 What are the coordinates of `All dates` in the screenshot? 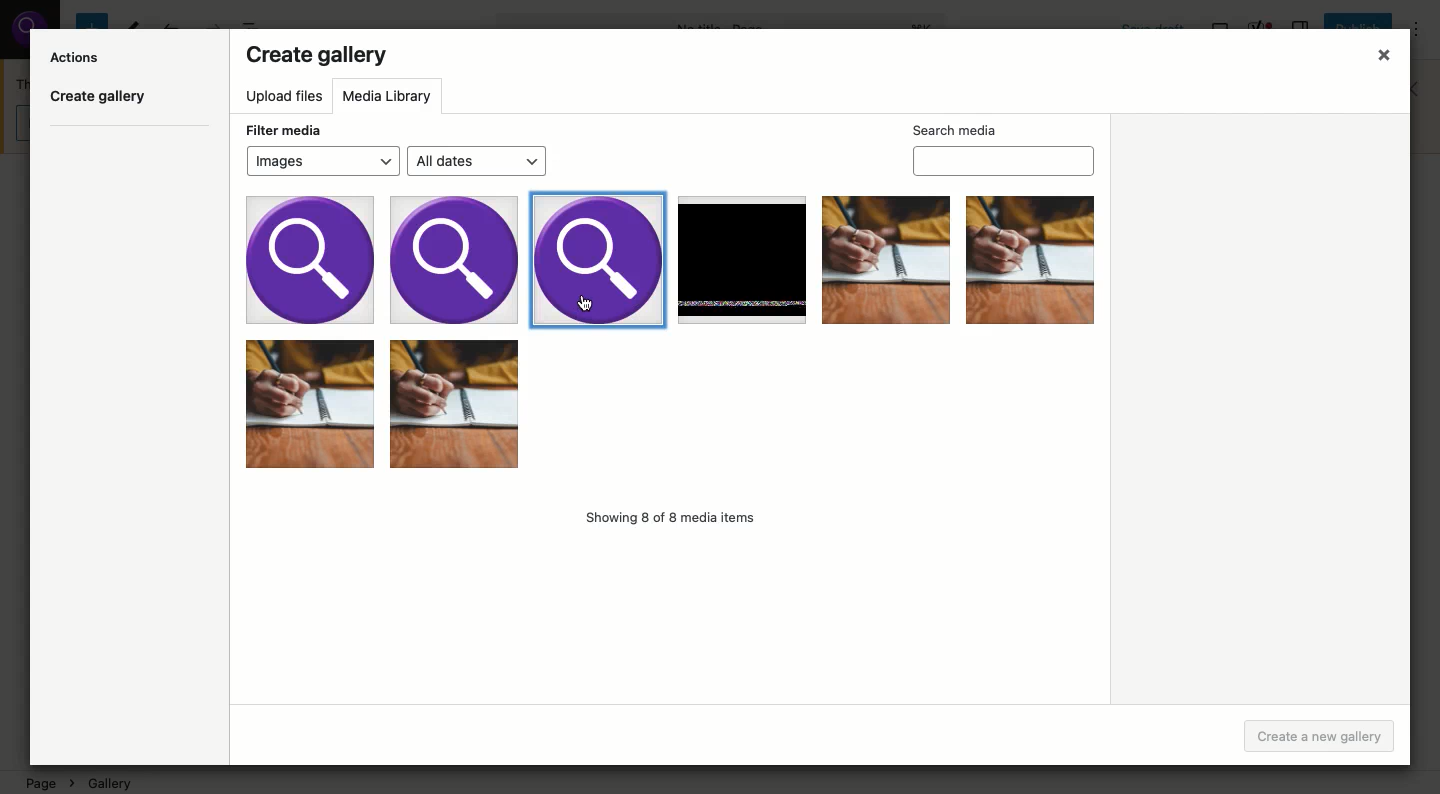 It's located at (479, 162).